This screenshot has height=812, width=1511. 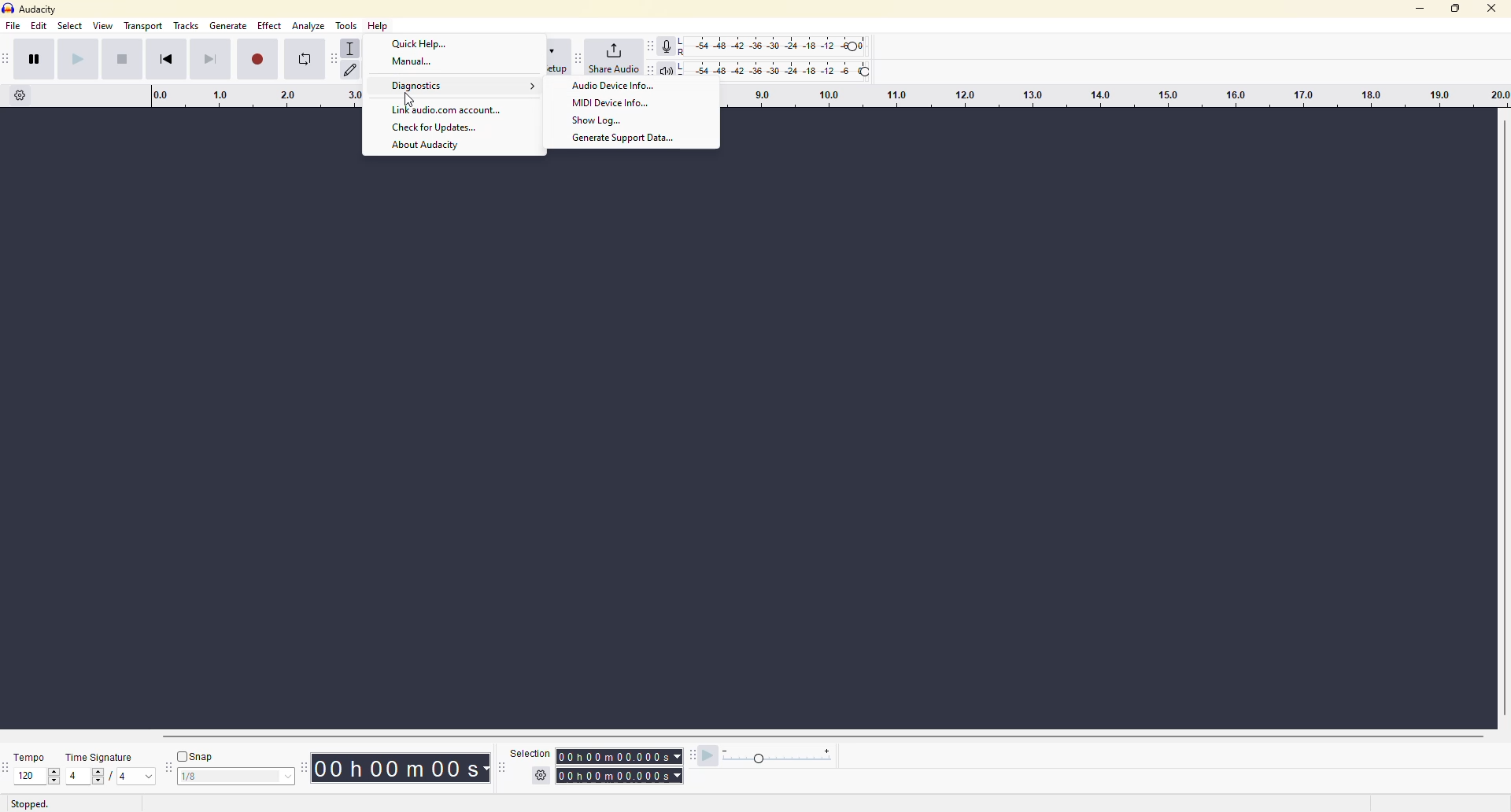 What do you see at coordinates (187, 28) in the screenshot?
I see `tracks` at bounding box center [187, 28].